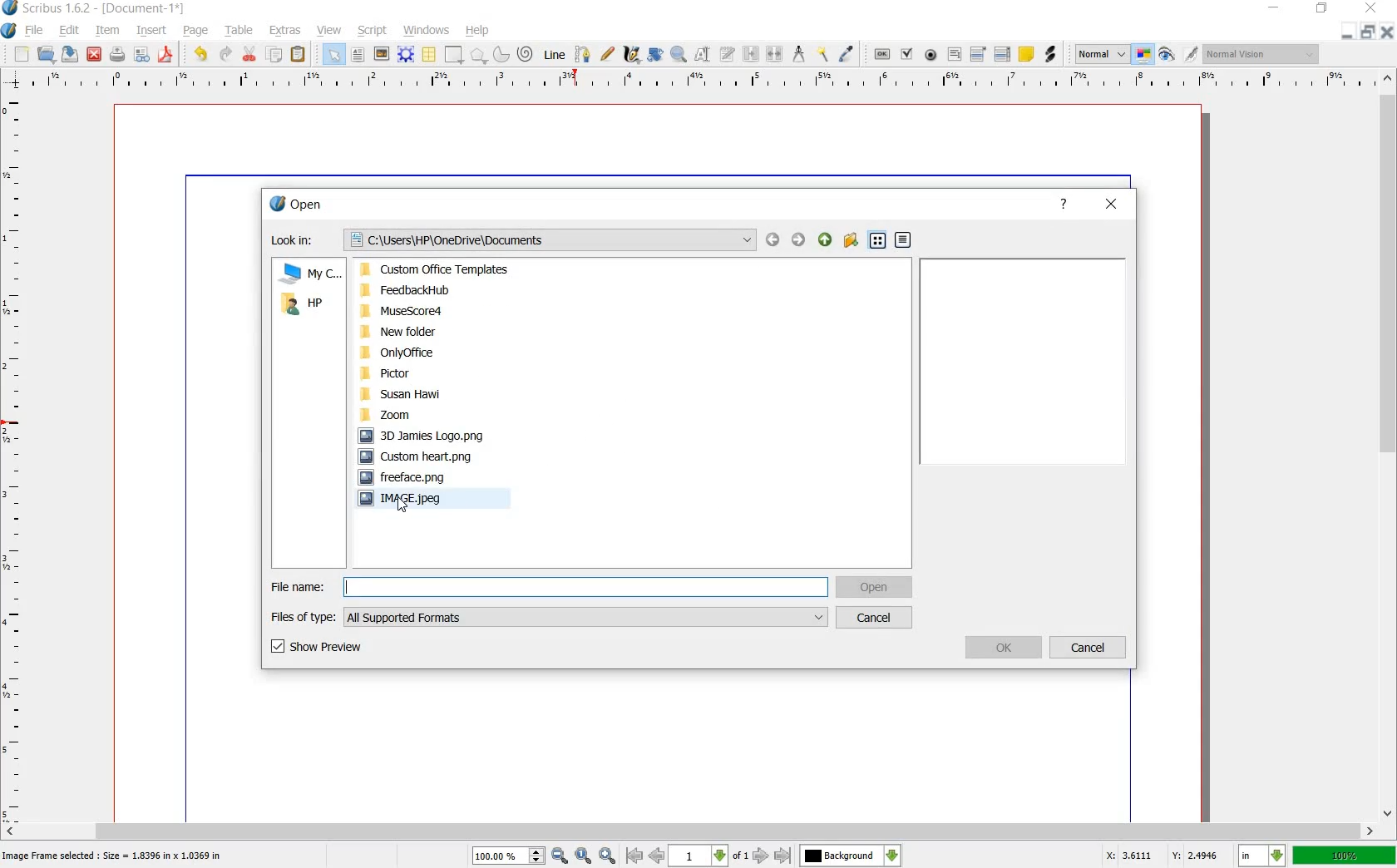 This screenshot has height=868, width=1397. Describe the element at coordinates (850, 856) in the screenshot. I see `background change` at that location.